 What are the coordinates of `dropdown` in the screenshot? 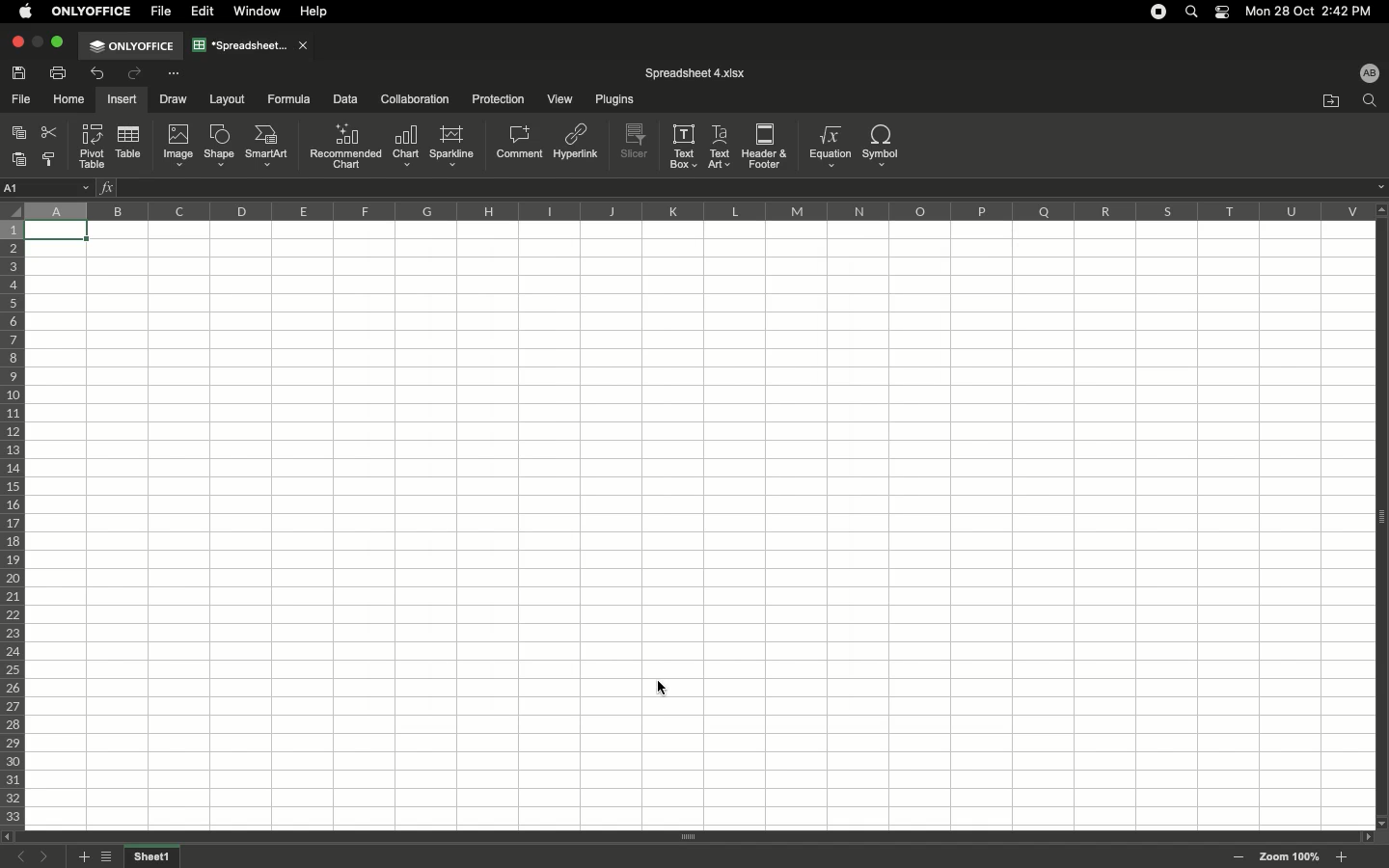 It's located at (1380, 187).